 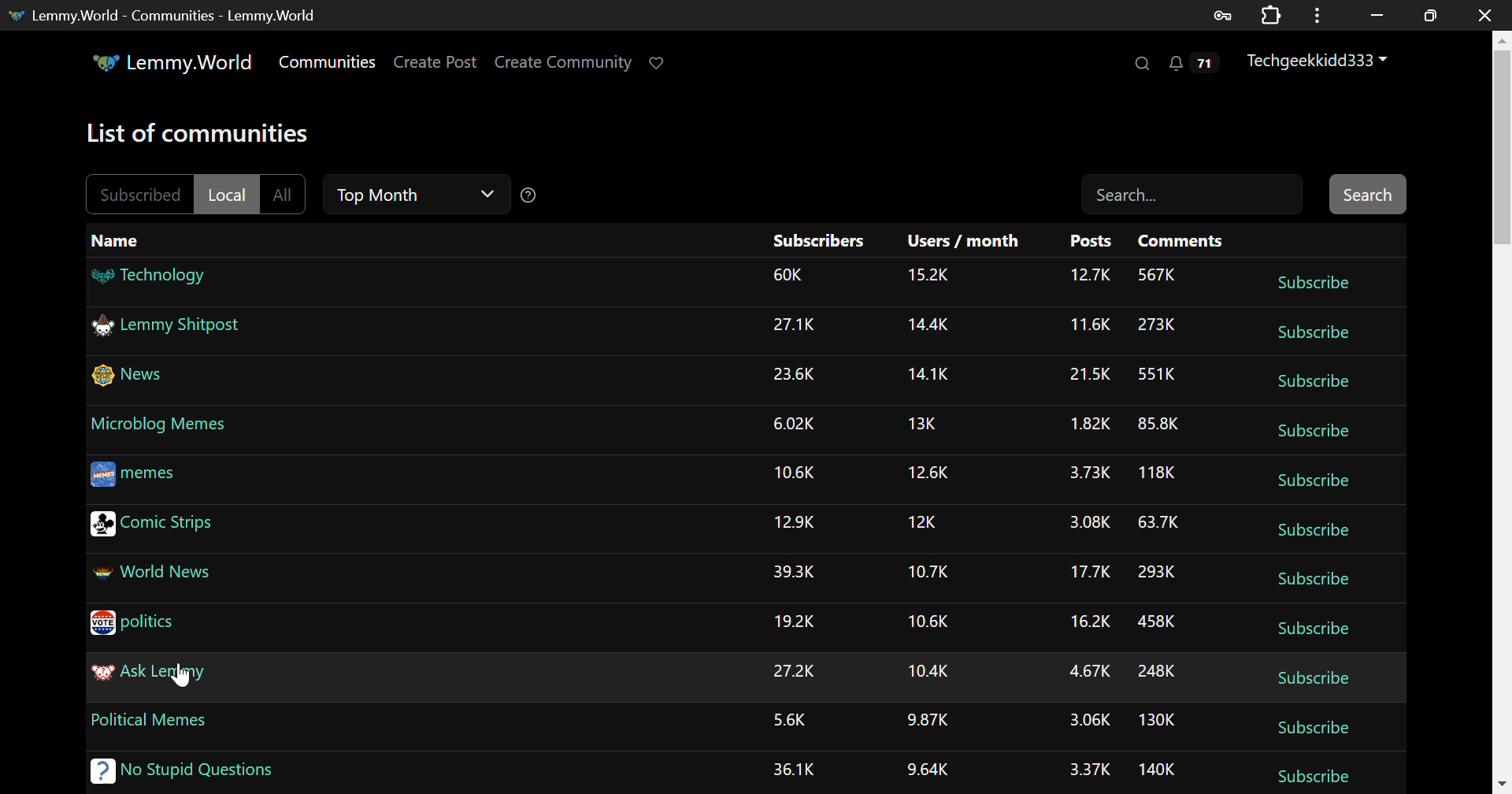 What do you see at coordinates (1308, 775) in the screenshot?
I see `Subscribe` at bounding box center [1308, 775].